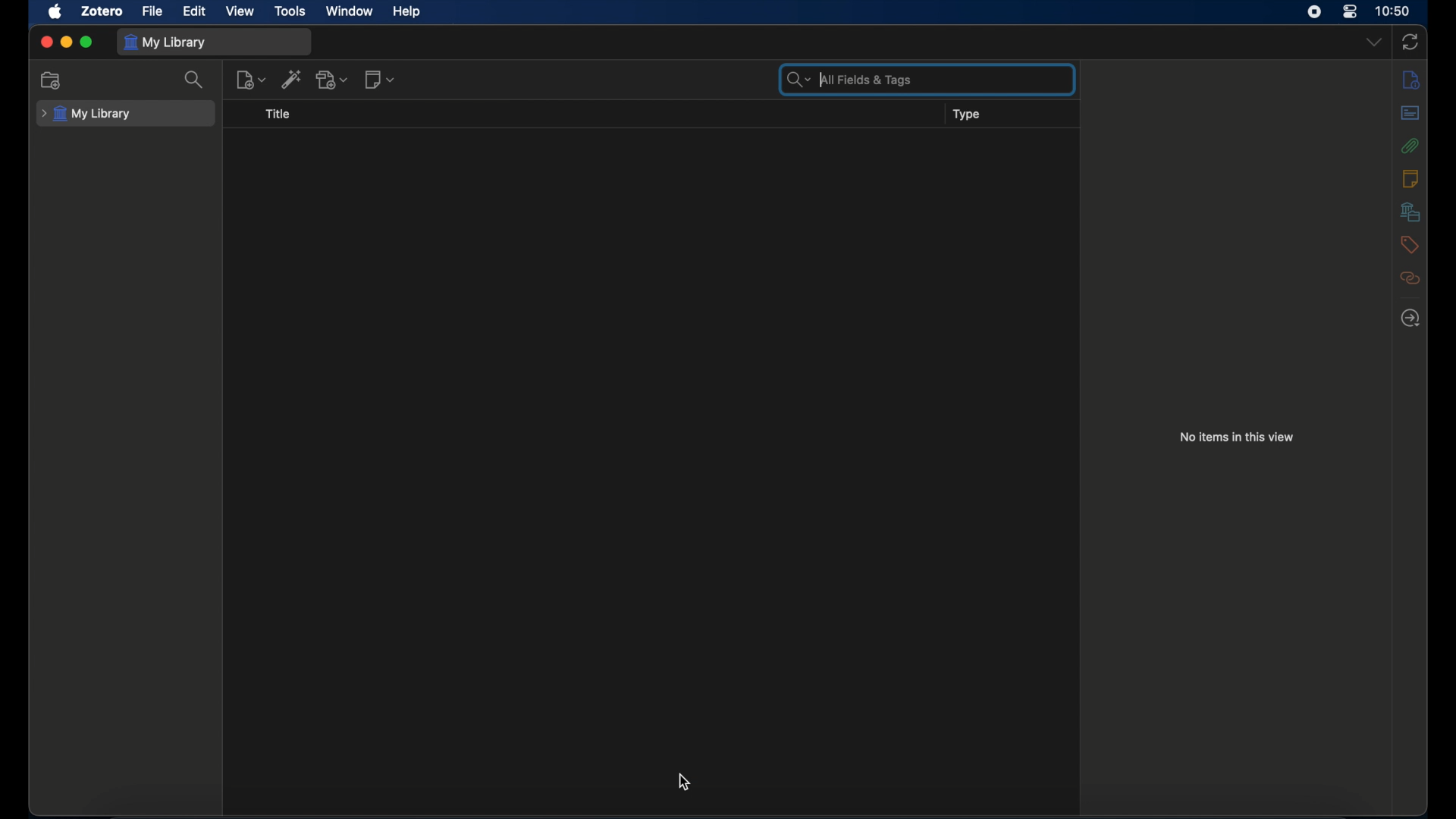  What do you see at coordinates (250, 80) in the screenshot?
I see `new items` at bounding box center [250, 80].